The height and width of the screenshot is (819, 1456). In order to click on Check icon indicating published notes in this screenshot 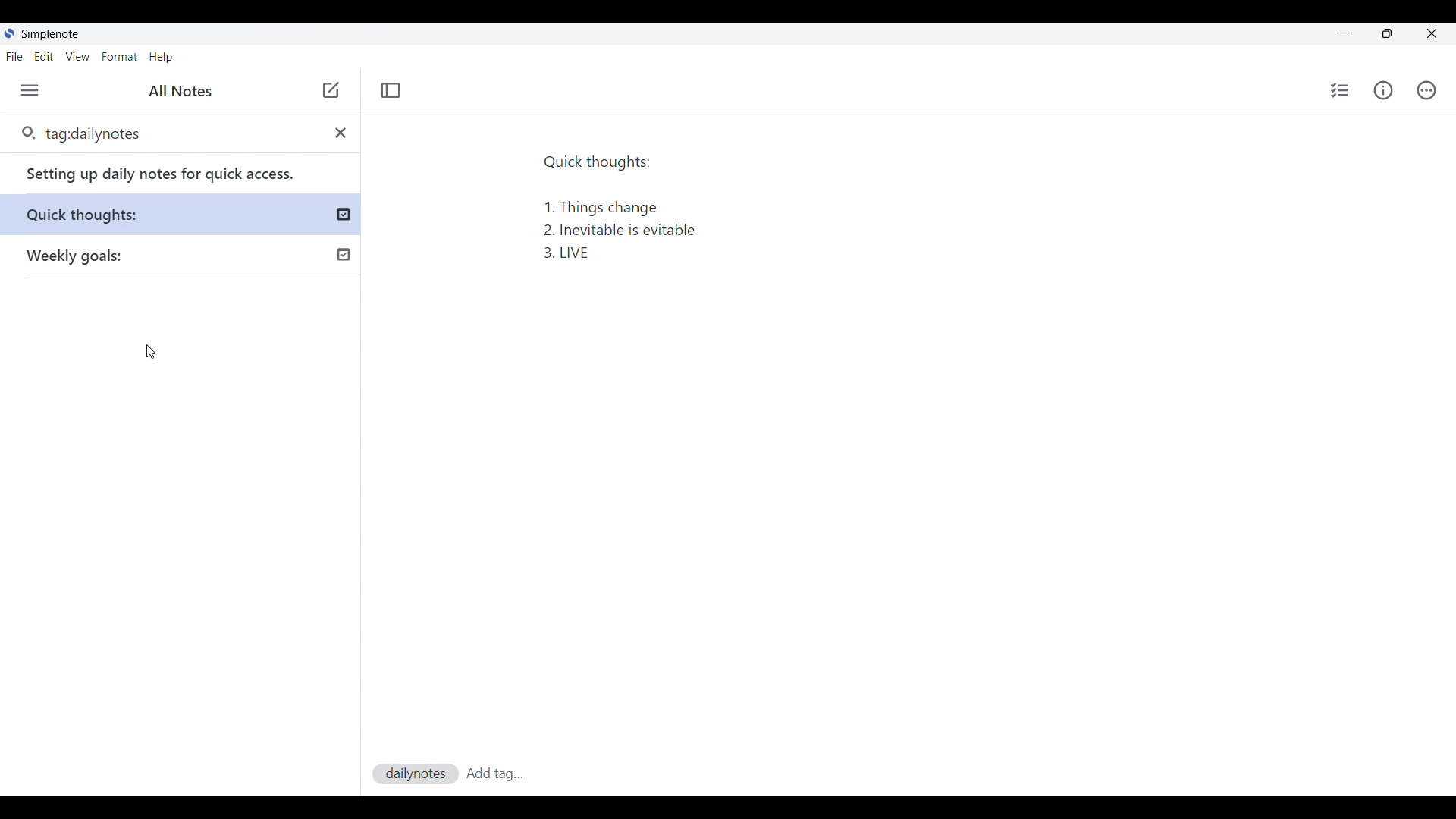, I will do `click(341, 252)`.